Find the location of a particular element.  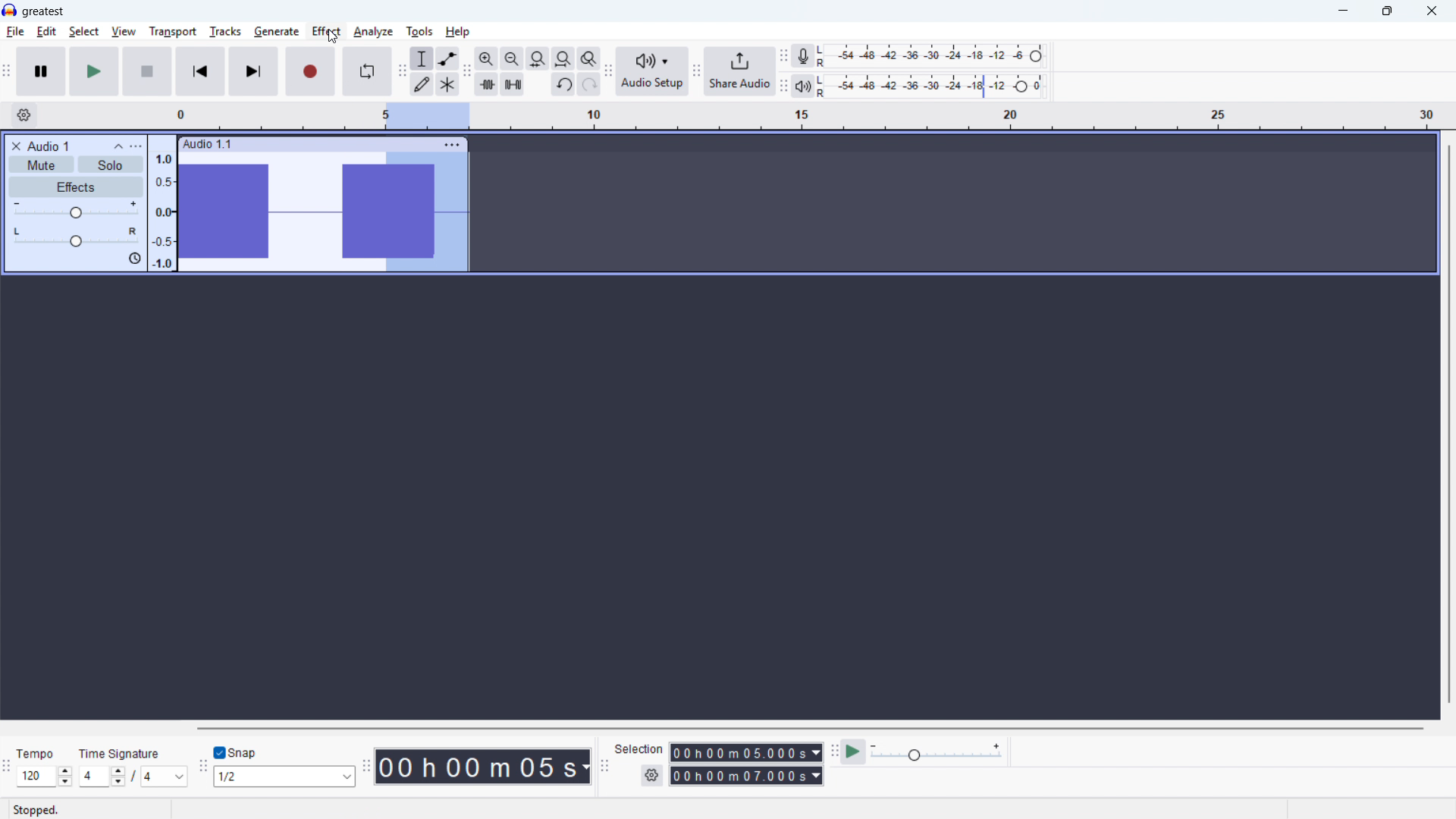

Play back speed  is located at coordinates (939, 752).